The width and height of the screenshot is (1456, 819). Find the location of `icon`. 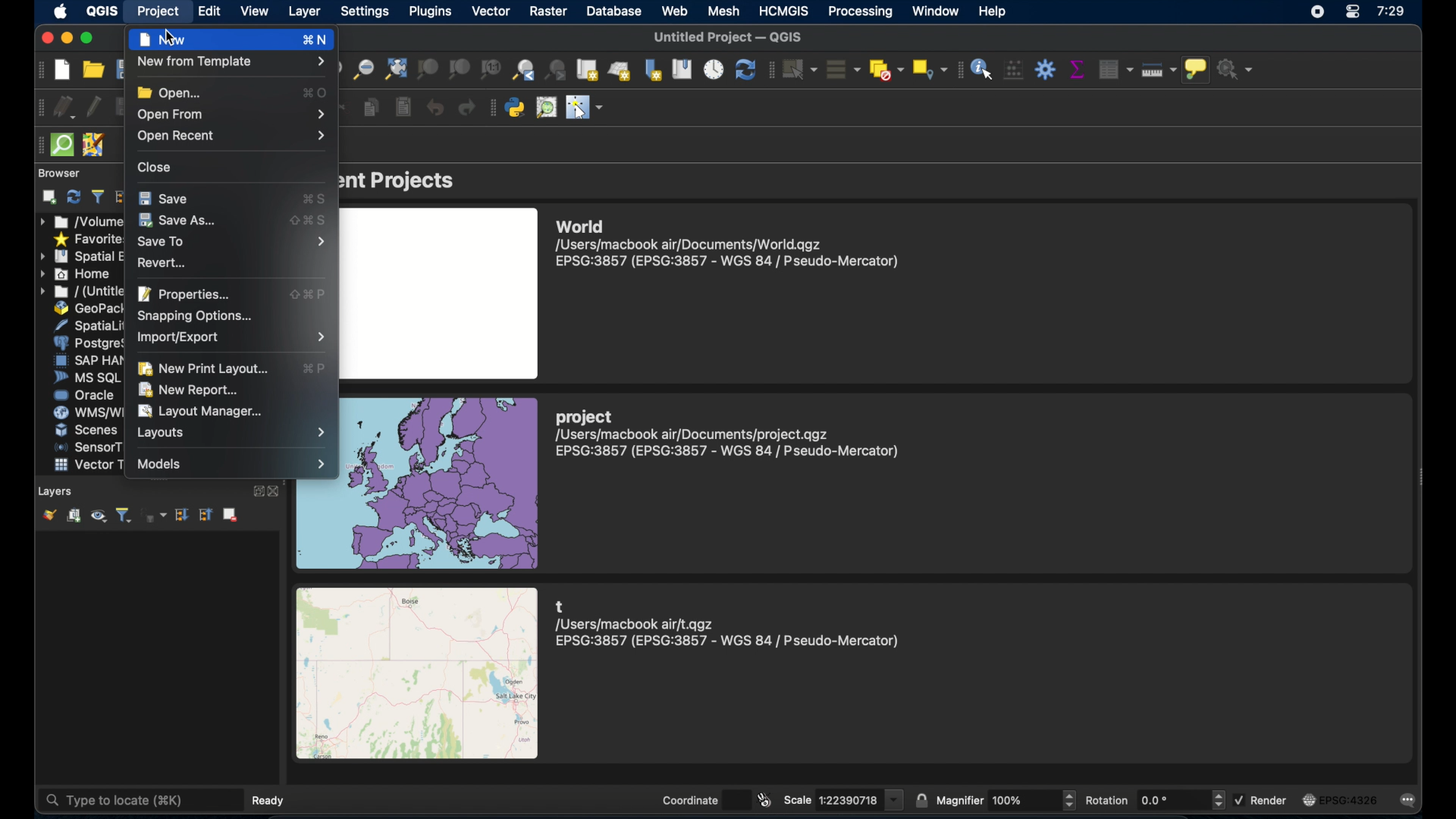

icon is located at coordinates (61, 342).